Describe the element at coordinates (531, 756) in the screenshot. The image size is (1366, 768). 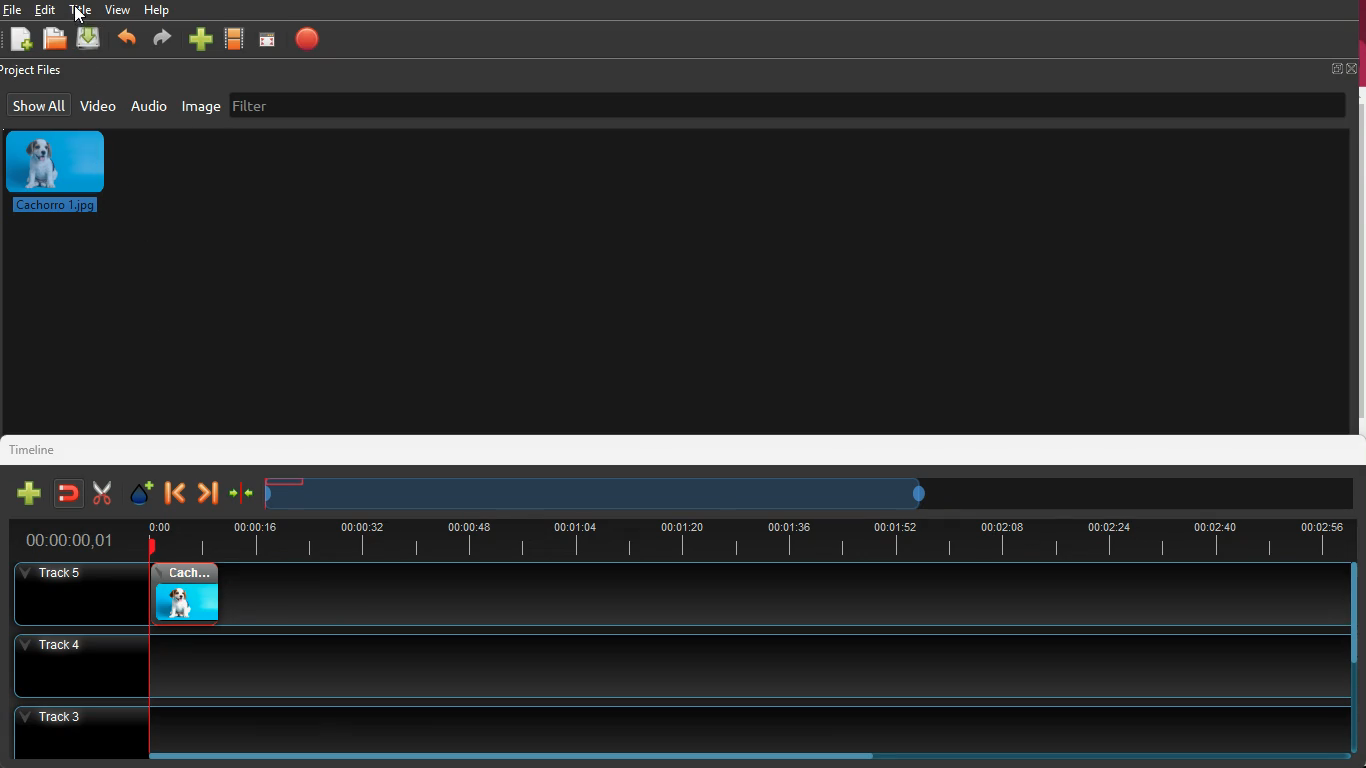
I see `Horizontal scroll bar` at that location.